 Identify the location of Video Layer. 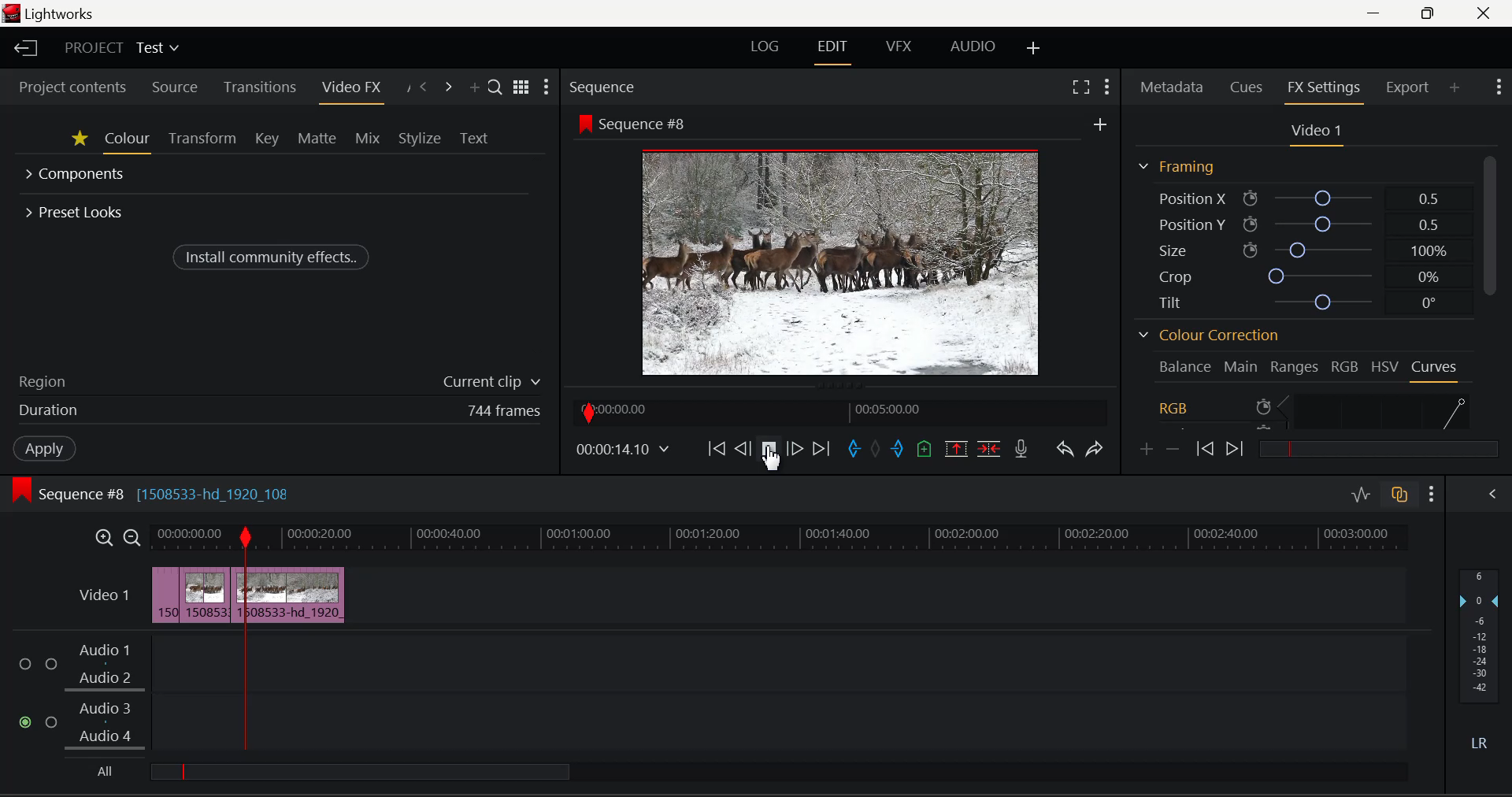
(104, 599).